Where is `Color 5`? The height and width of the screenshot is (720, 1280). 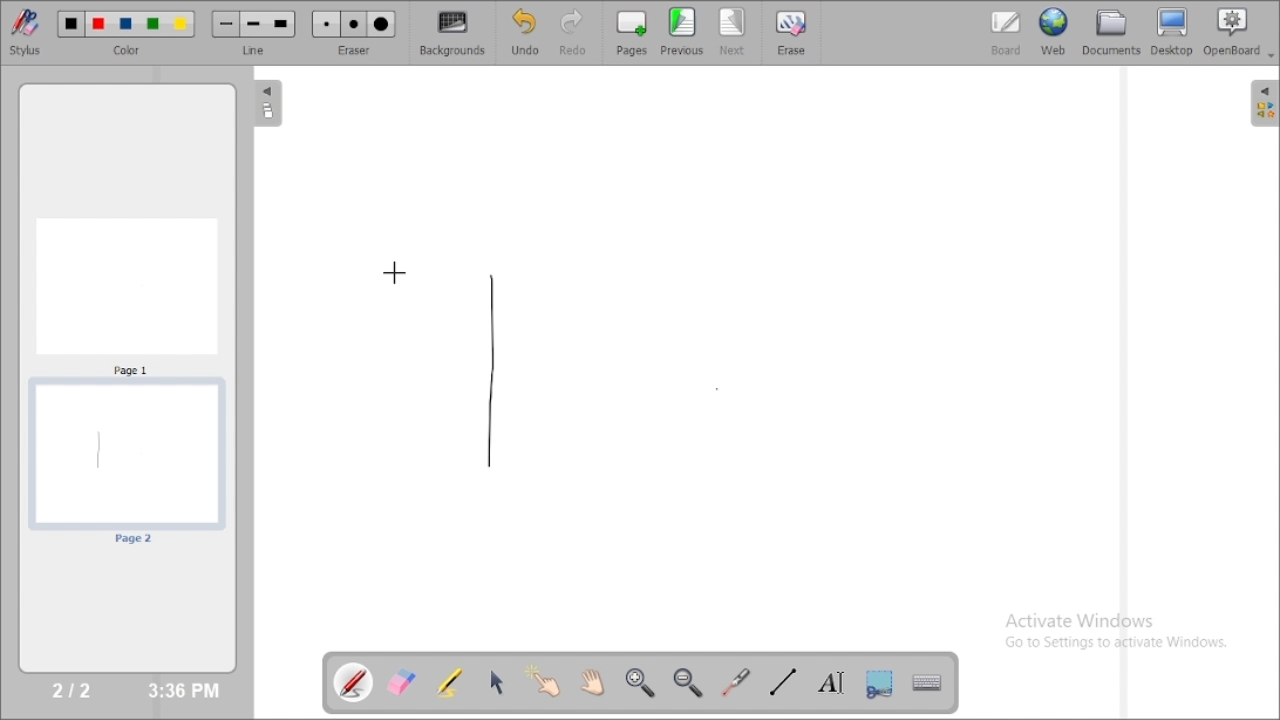
Color 5 is located at coordinates (181, 24).